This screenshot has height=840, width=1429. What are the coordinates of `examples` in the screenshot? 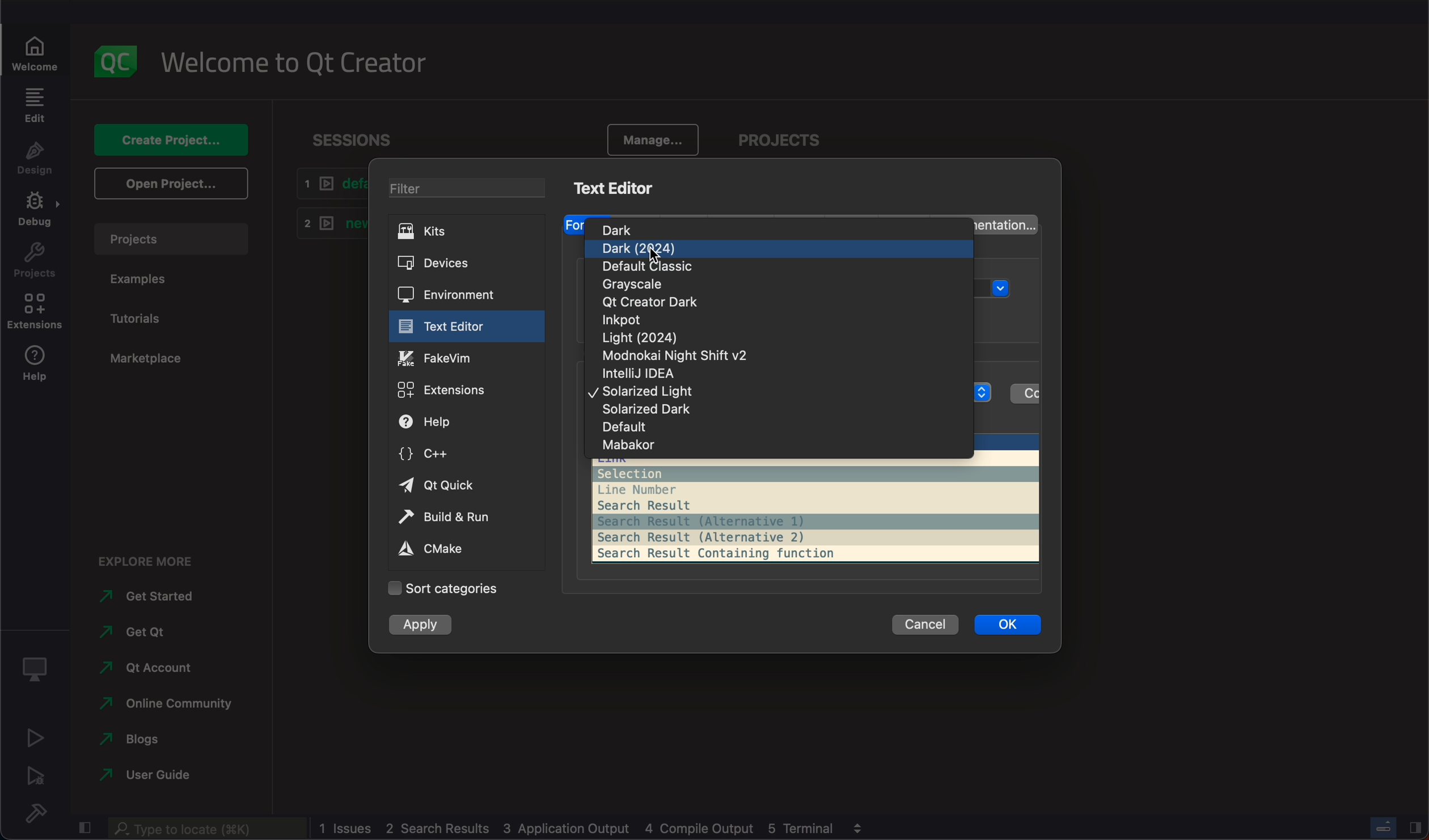 It's located at (145, 282).